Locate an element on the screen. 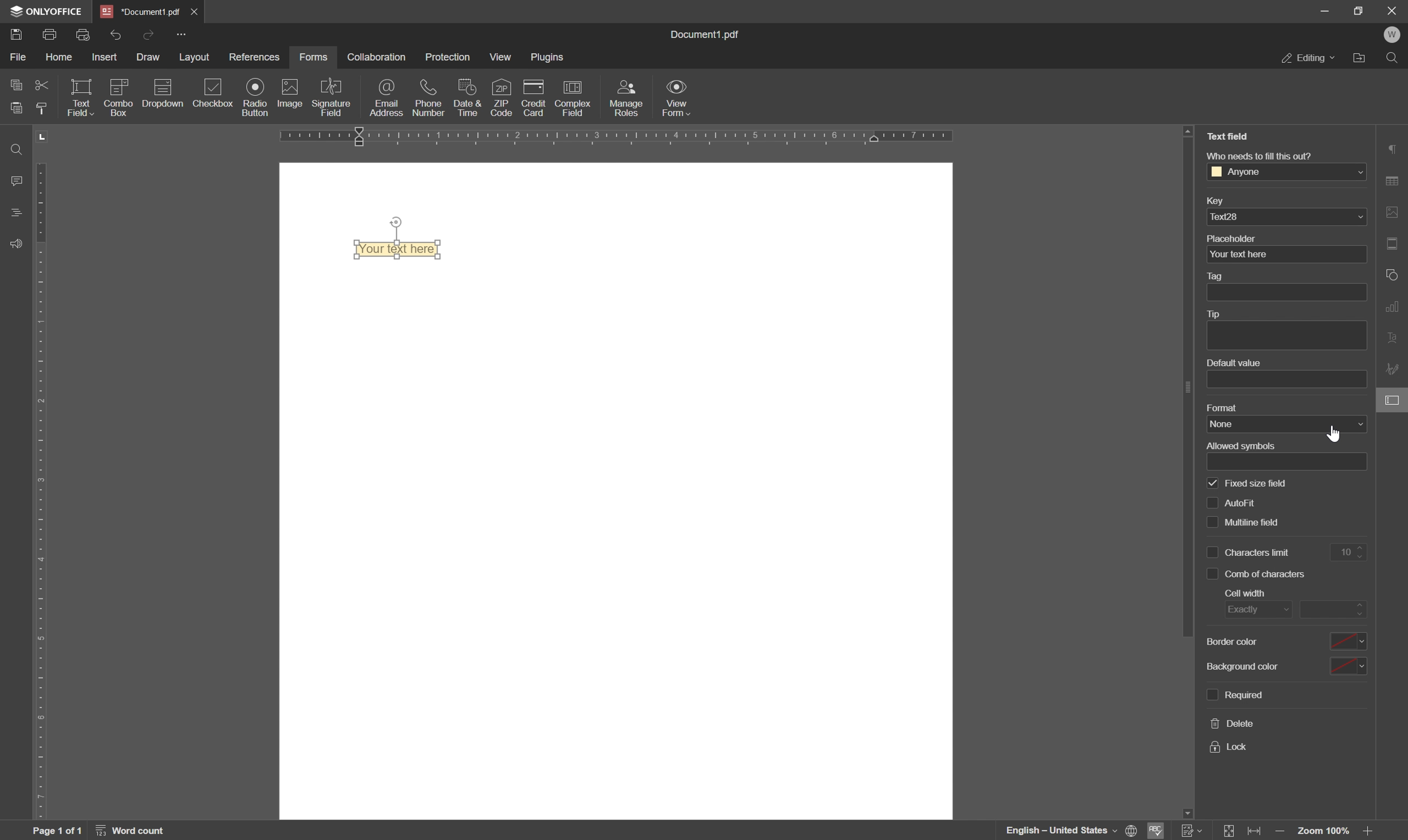 The image size is (1408, 840). exactly is located at coordinates (1255, 609).